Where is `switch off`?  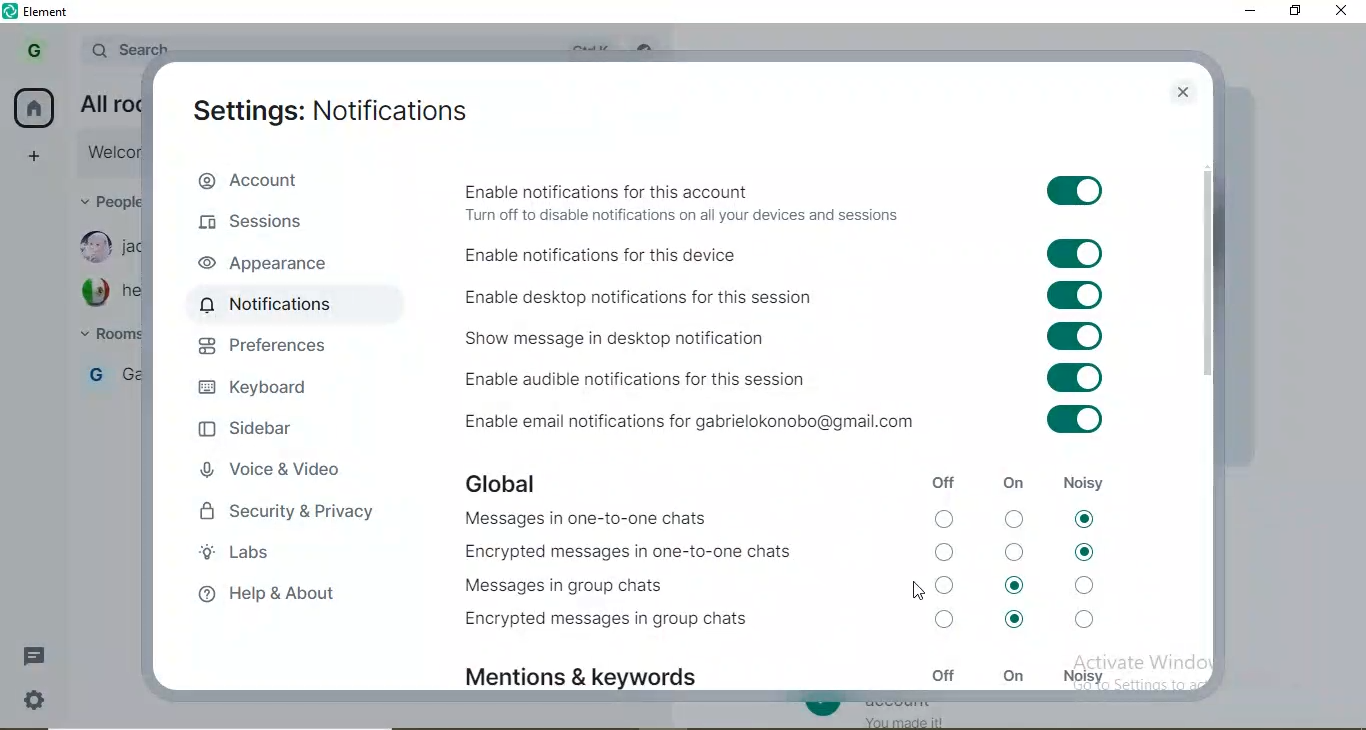
switch off is located at coordinates (948, 519).